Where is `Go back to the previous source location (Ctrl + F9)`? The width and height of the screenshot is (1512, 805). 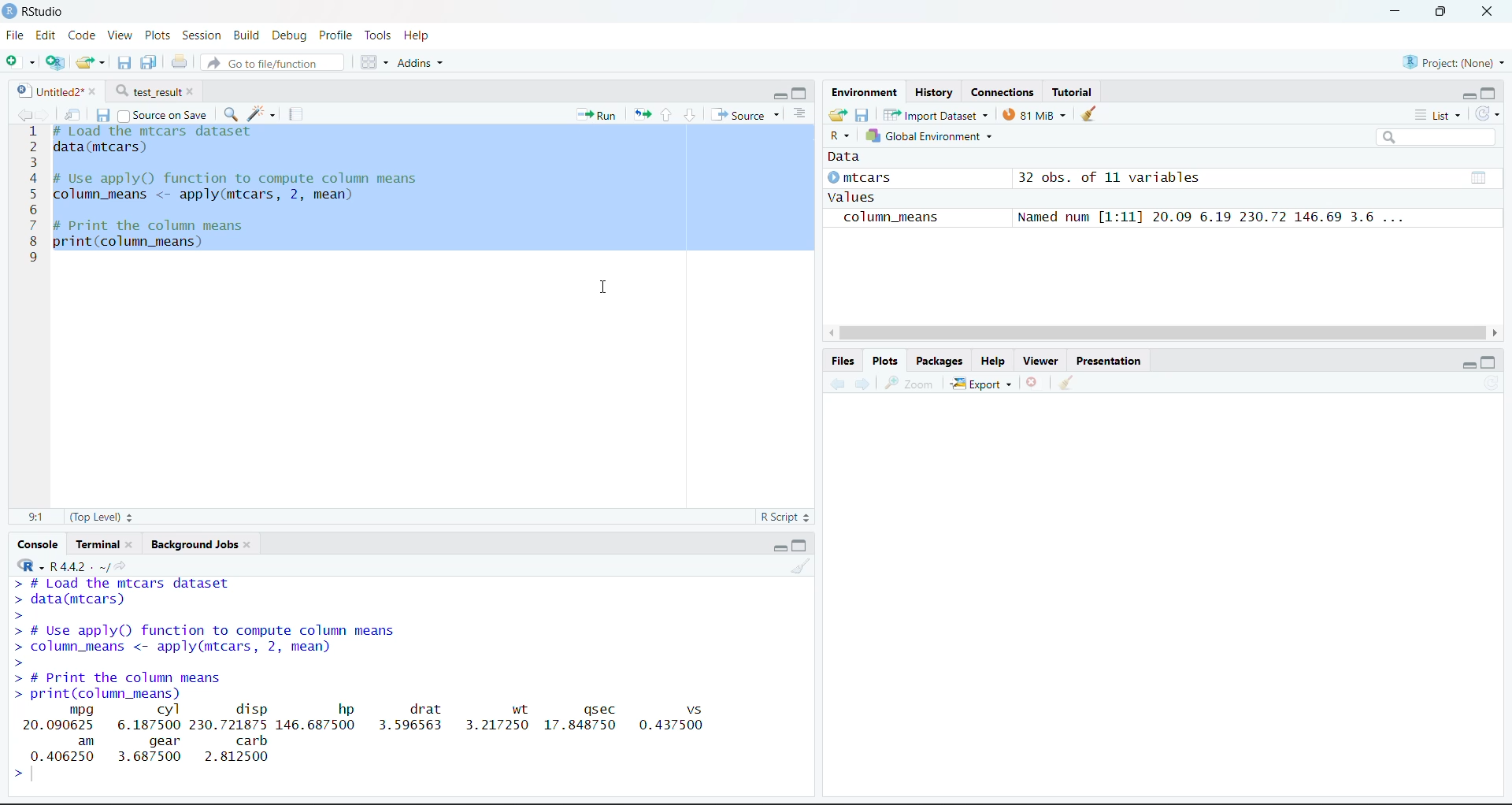 Go back to the previous source location (Ctrl + F9) is located at coordinates (20, 113).